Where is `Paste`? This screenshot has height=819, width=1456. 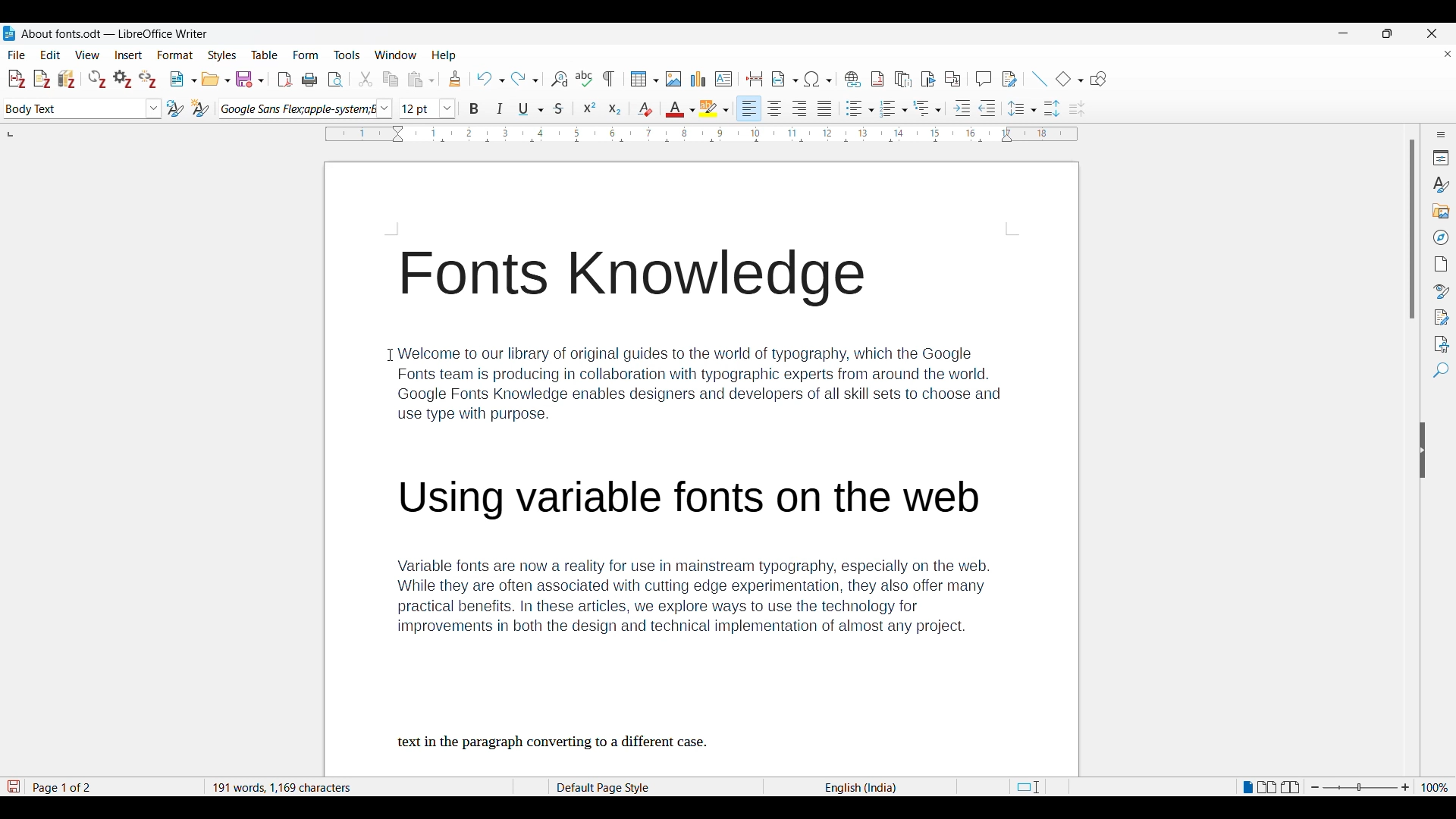
Paste is located at coordinates (421, 79).